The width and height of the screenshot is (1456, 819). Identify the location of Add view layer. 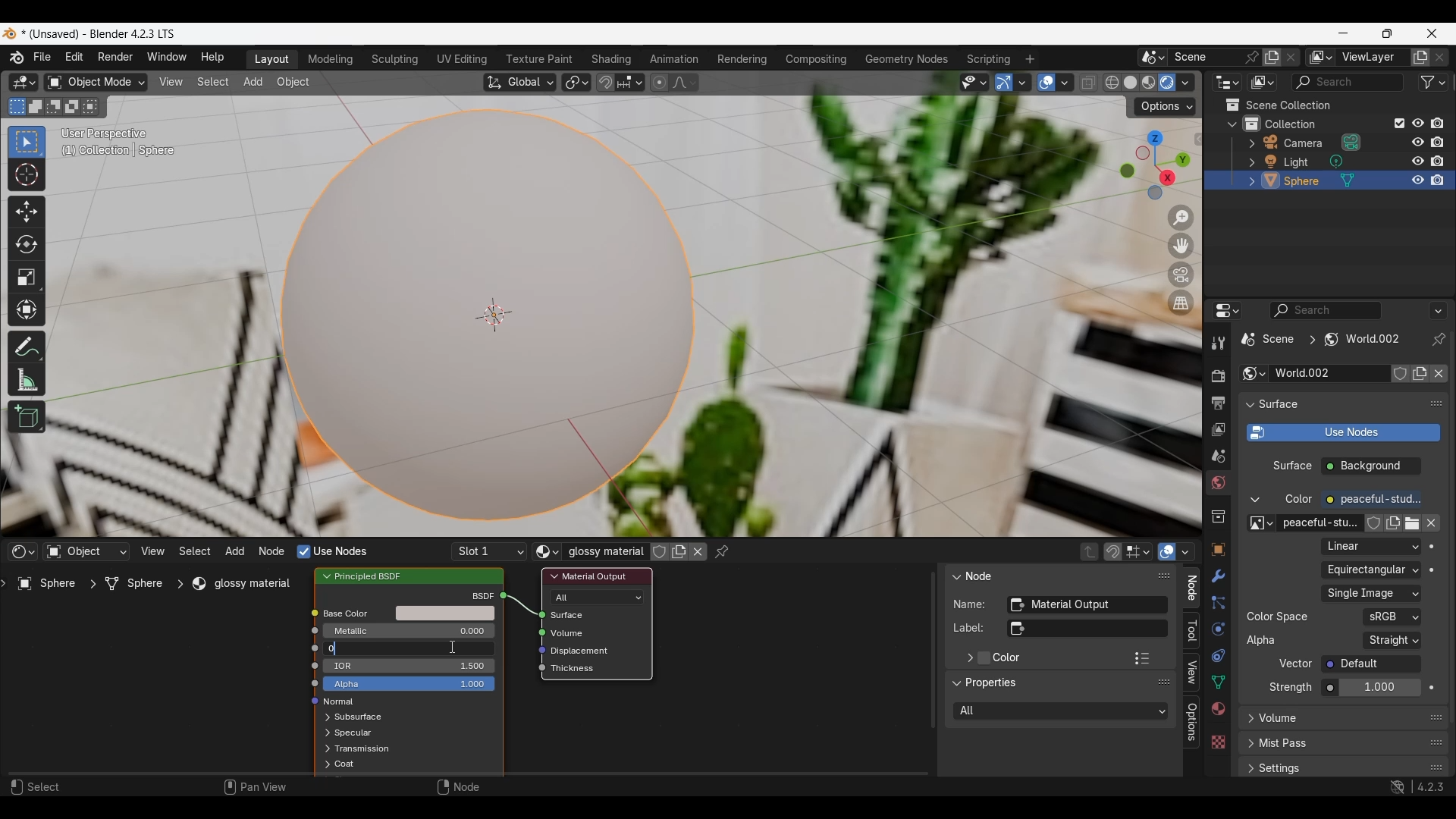
(1420, 57).